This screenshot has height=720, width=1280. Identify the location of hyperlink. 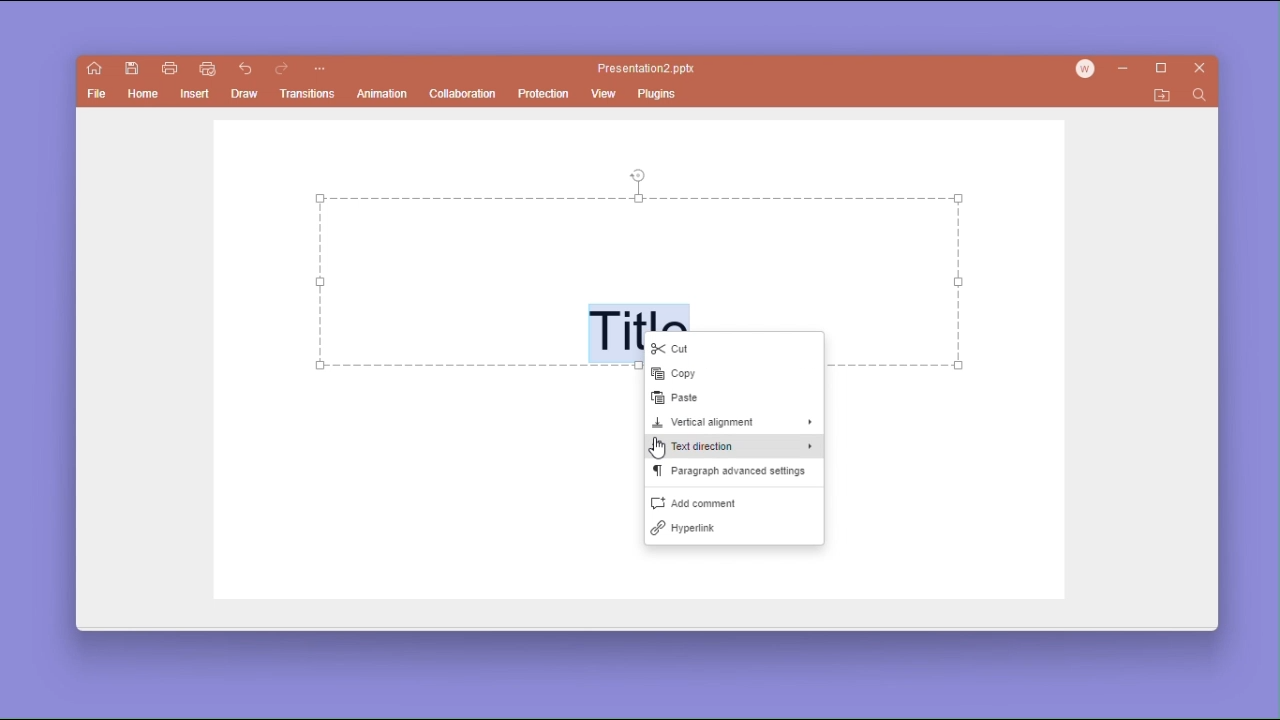
(732, 532).